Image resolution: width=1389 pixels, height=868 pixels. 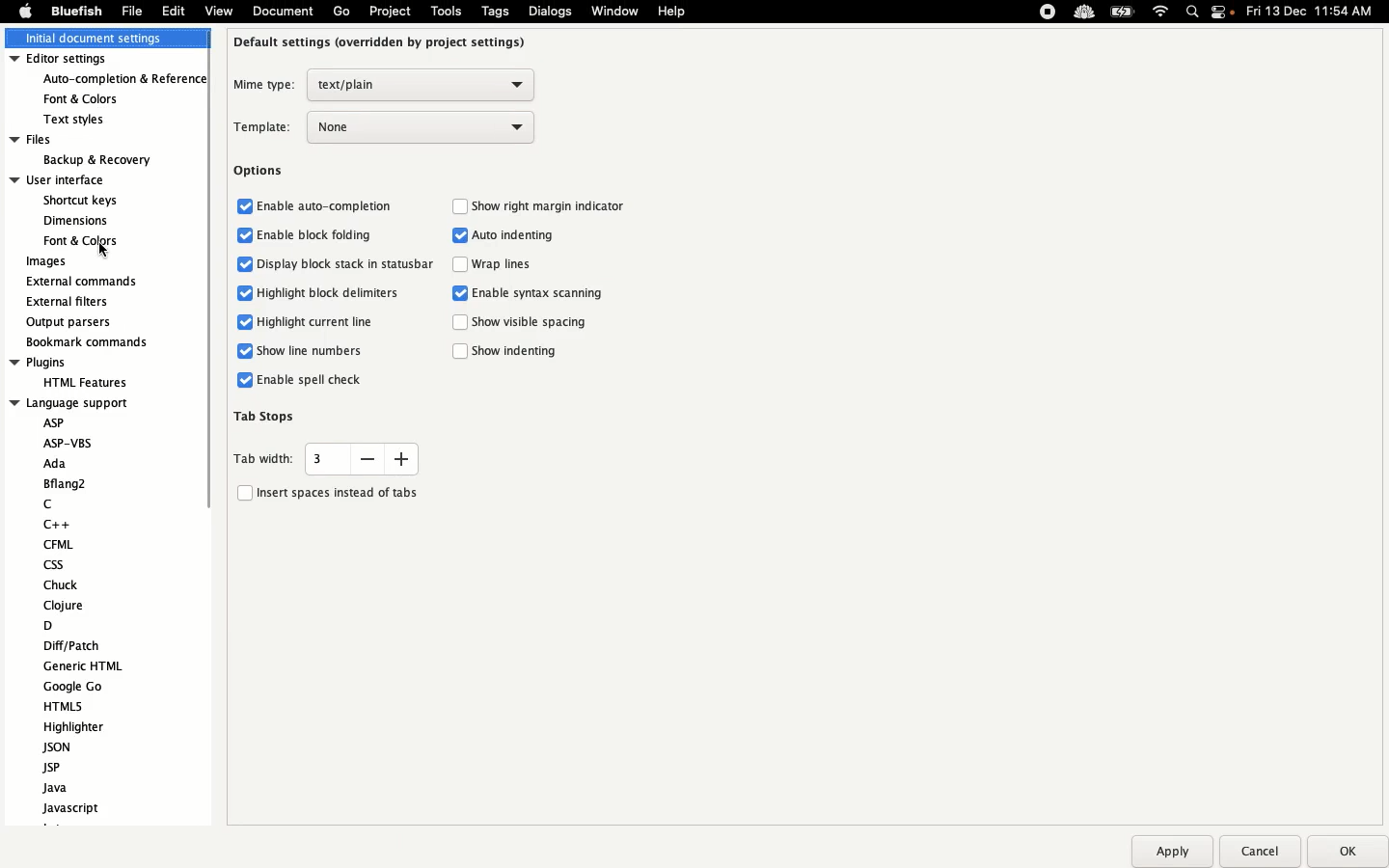 I want to click on Display block stack in status bar, so click(x=337, y=265).